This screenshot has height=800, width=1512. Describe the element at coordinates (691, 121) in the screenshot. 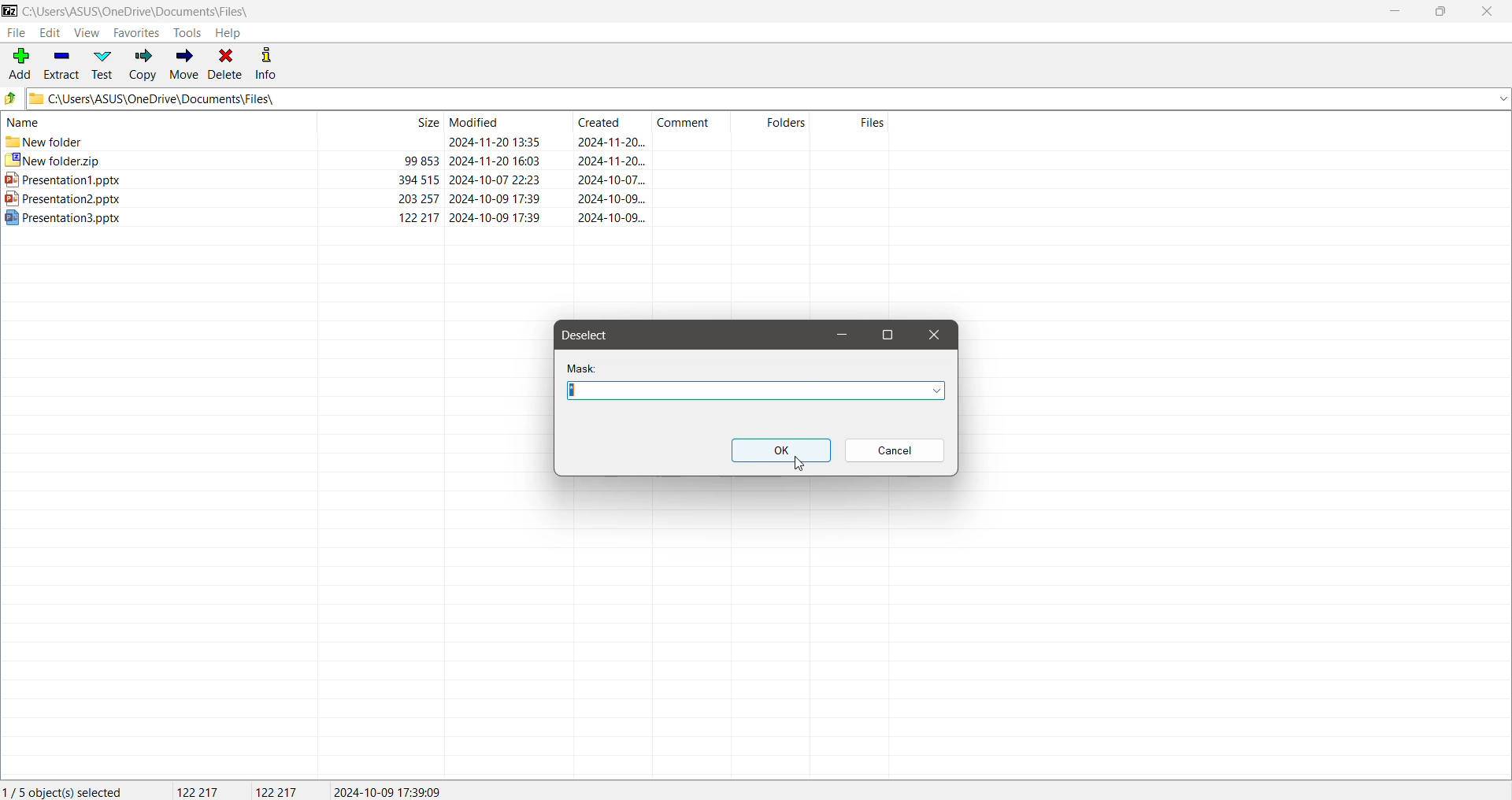

I see `Comments` at that location.